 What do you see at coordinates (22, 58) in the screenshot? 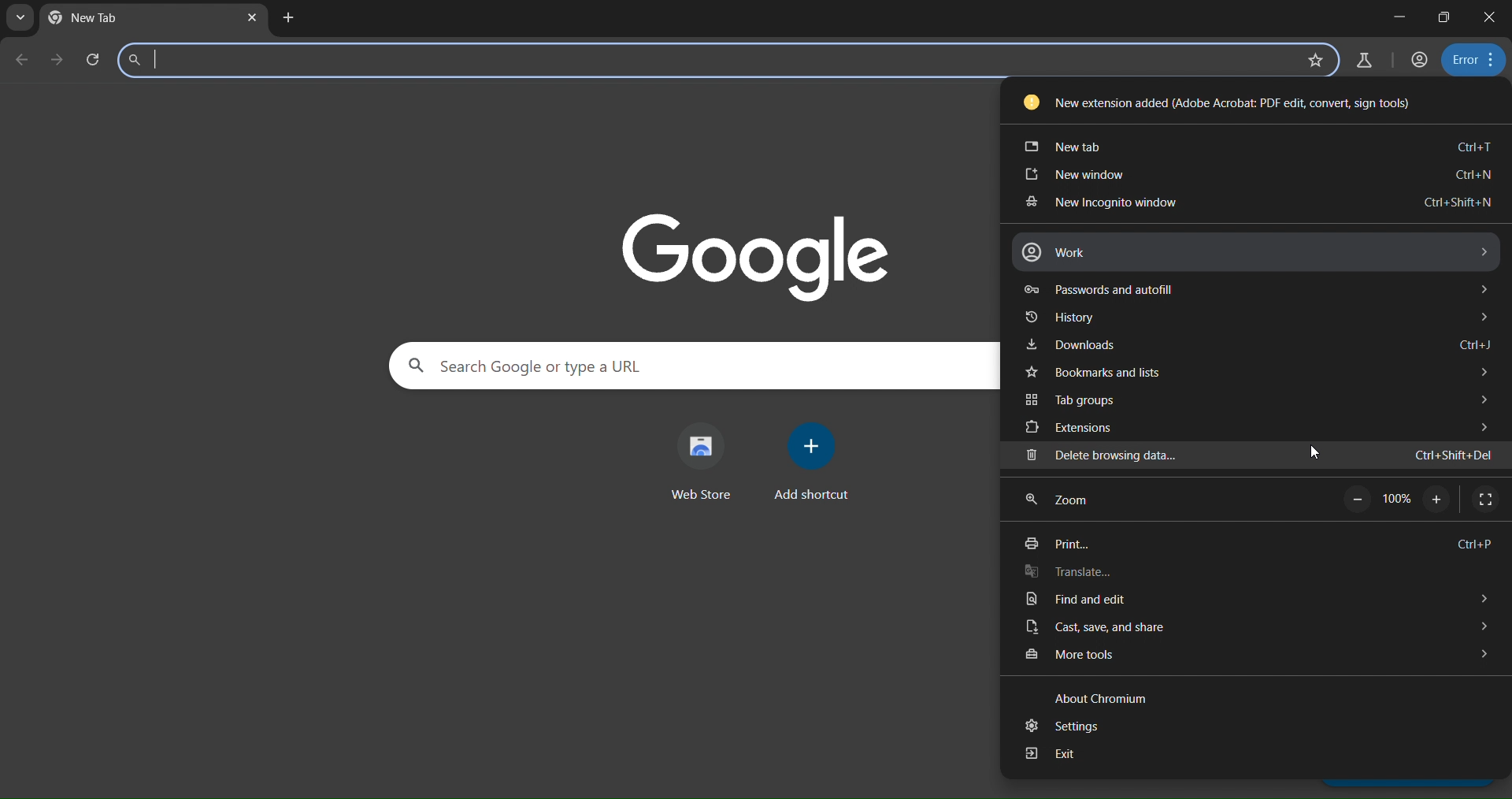
I see `go back one page` at bounding box center [22, 58].